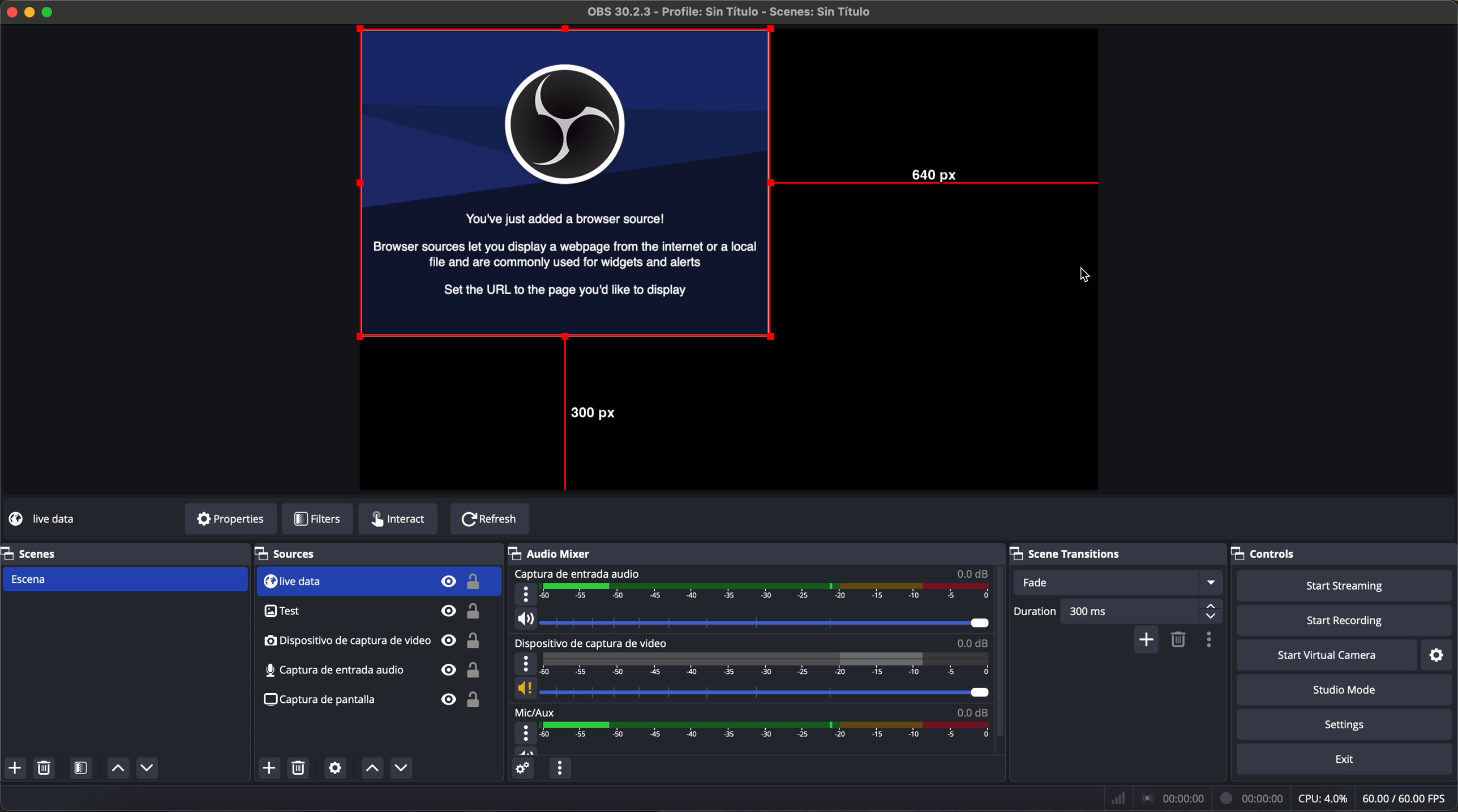  Describe the element at coordinates (768, 737) in the screenshot. I see `timeline` at that location.